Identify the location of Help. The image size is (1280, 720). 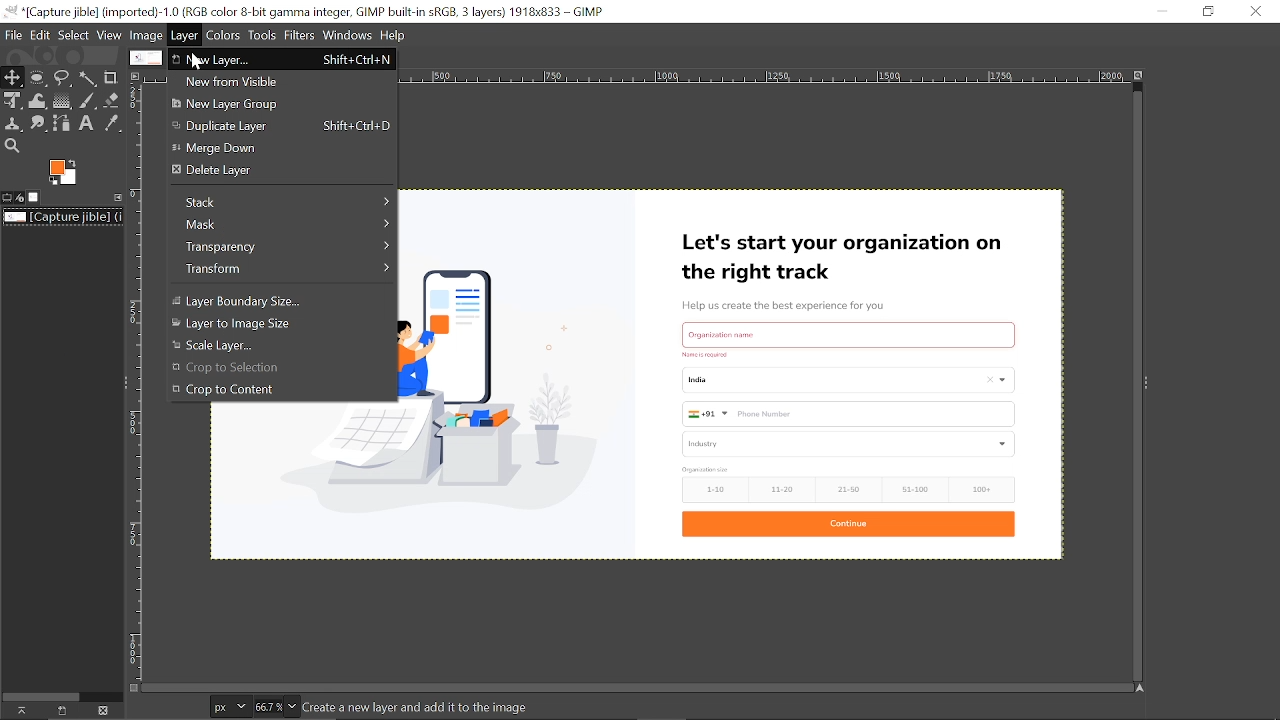
(396, 34).